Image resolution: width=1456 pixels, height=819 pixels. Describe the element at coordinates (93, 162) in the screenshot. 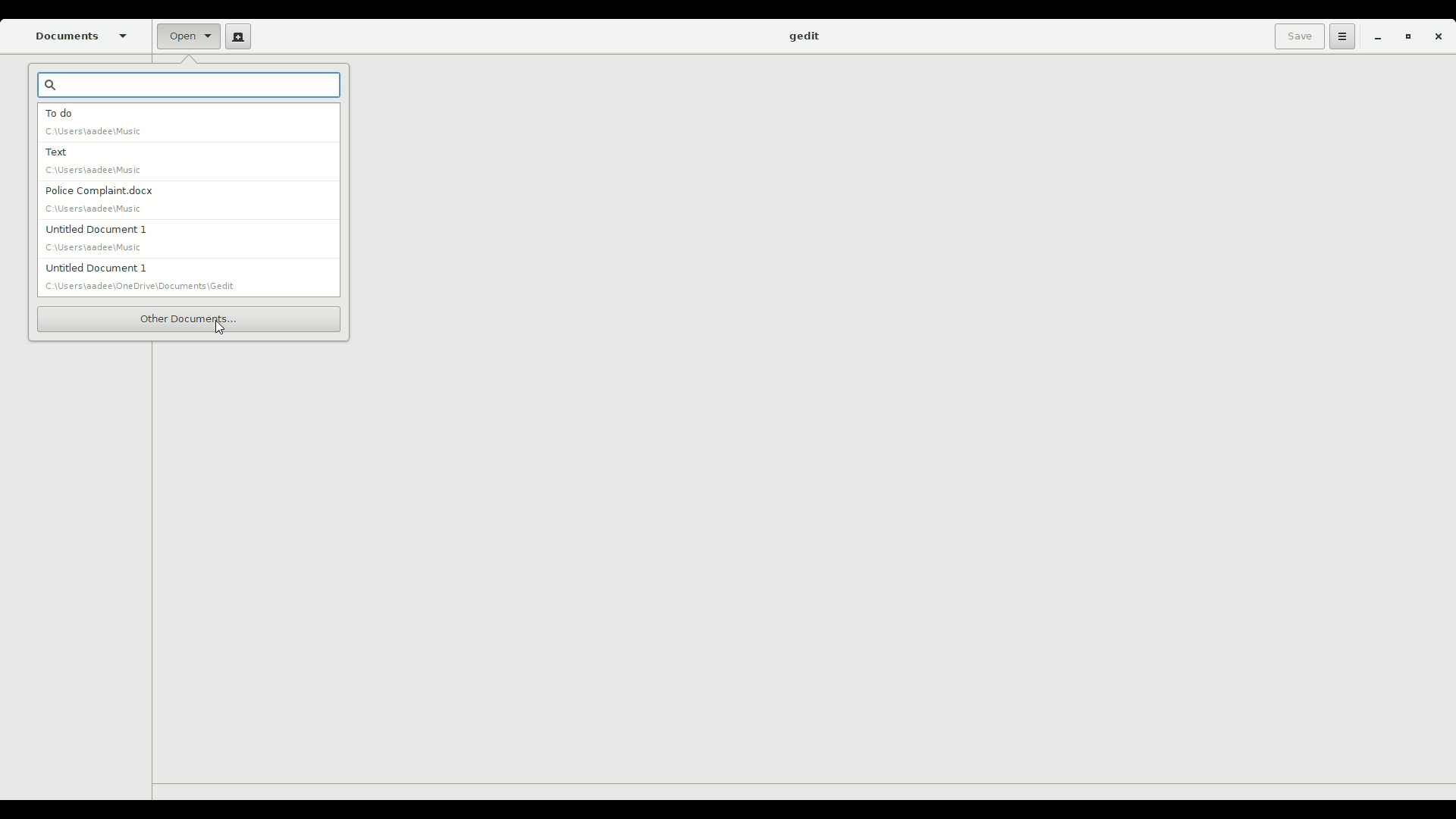

I see `Text` at that location.